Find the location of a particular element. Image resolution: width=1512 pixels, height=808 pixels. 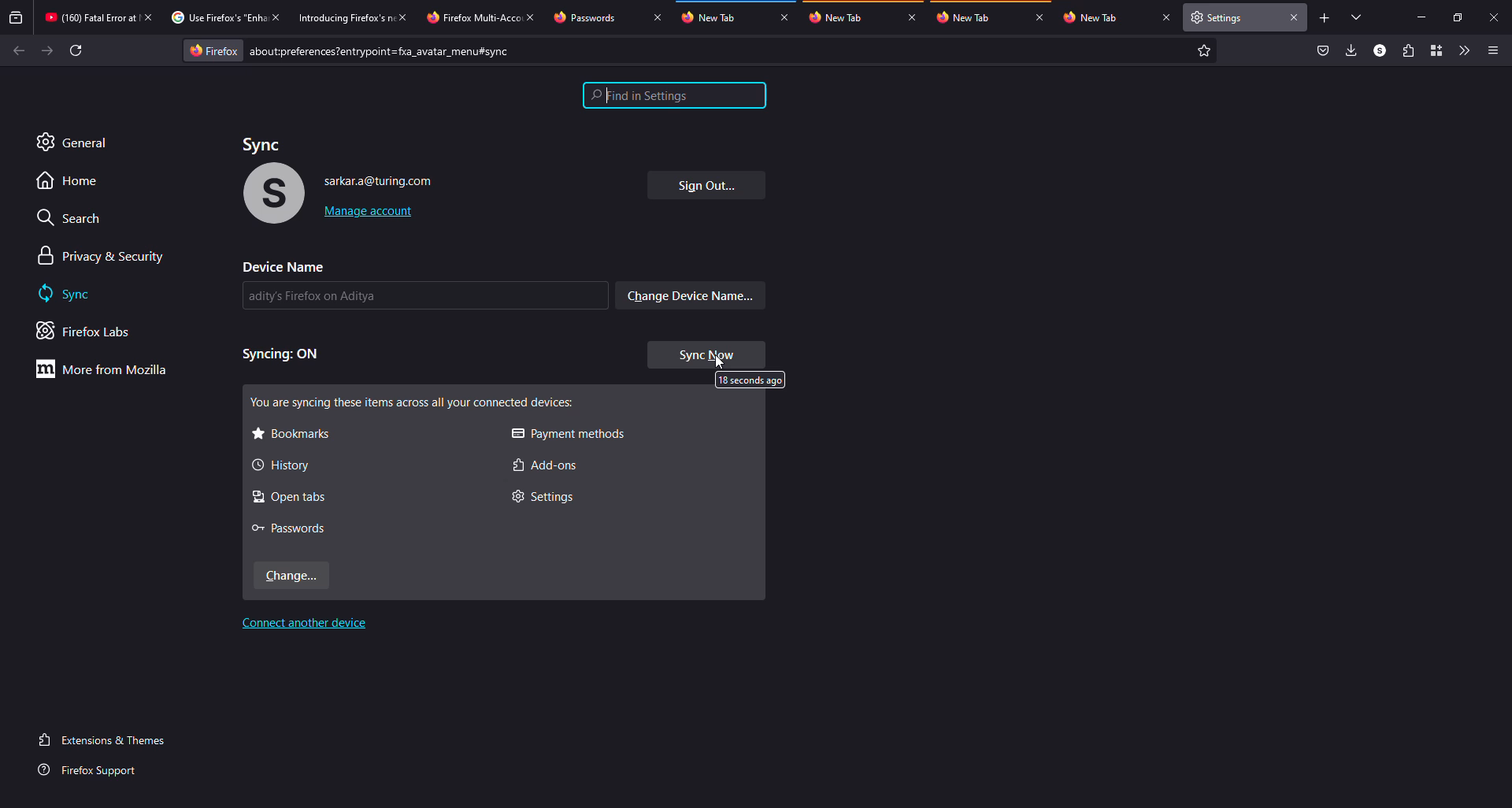

change is located at coordinates (293, 575).